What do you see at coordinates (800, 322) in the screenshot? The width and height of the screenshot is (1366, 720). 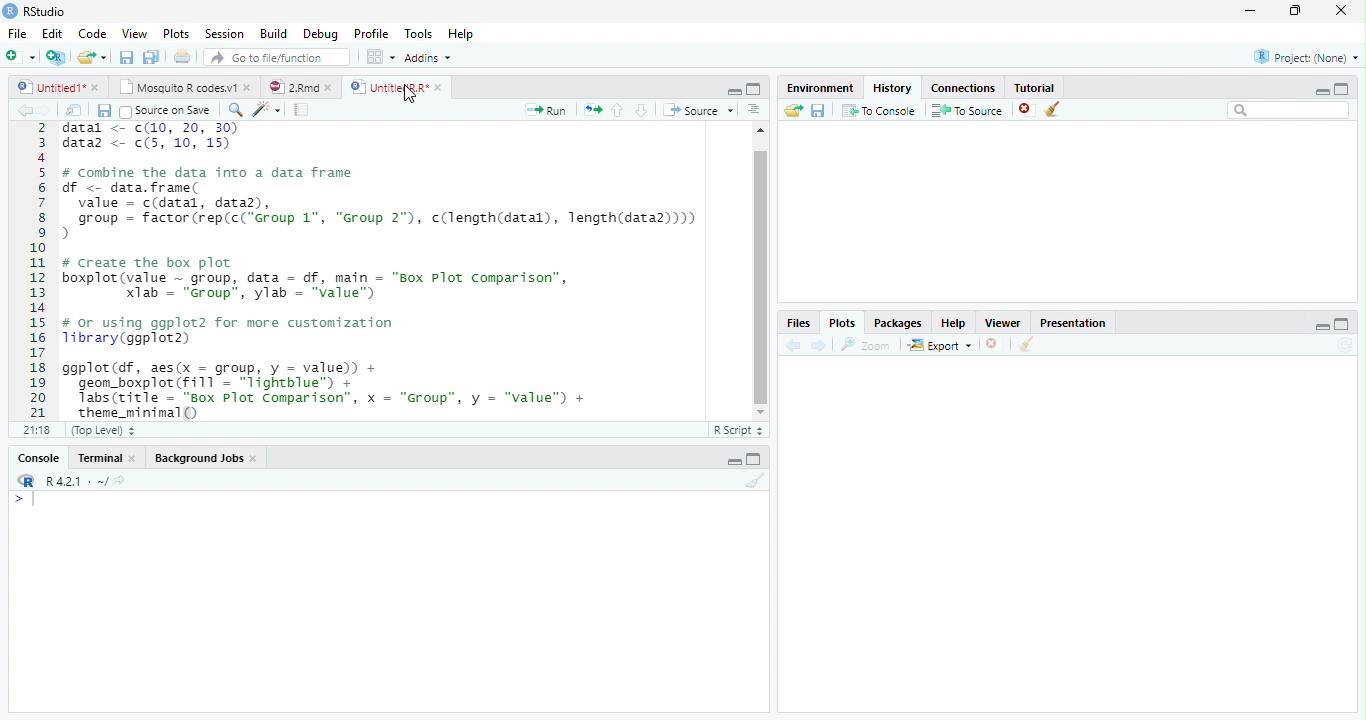 I see `Files` at bounding box center [800, 322].